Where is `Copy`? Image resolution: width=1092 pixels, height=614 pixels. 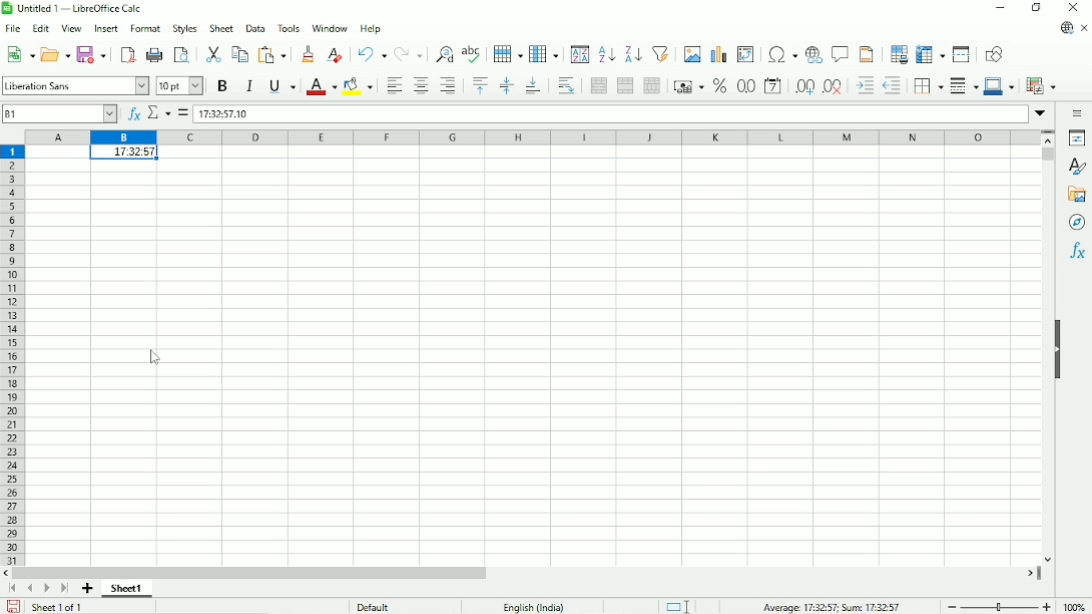
Copy is located at coordinates (240, 53).